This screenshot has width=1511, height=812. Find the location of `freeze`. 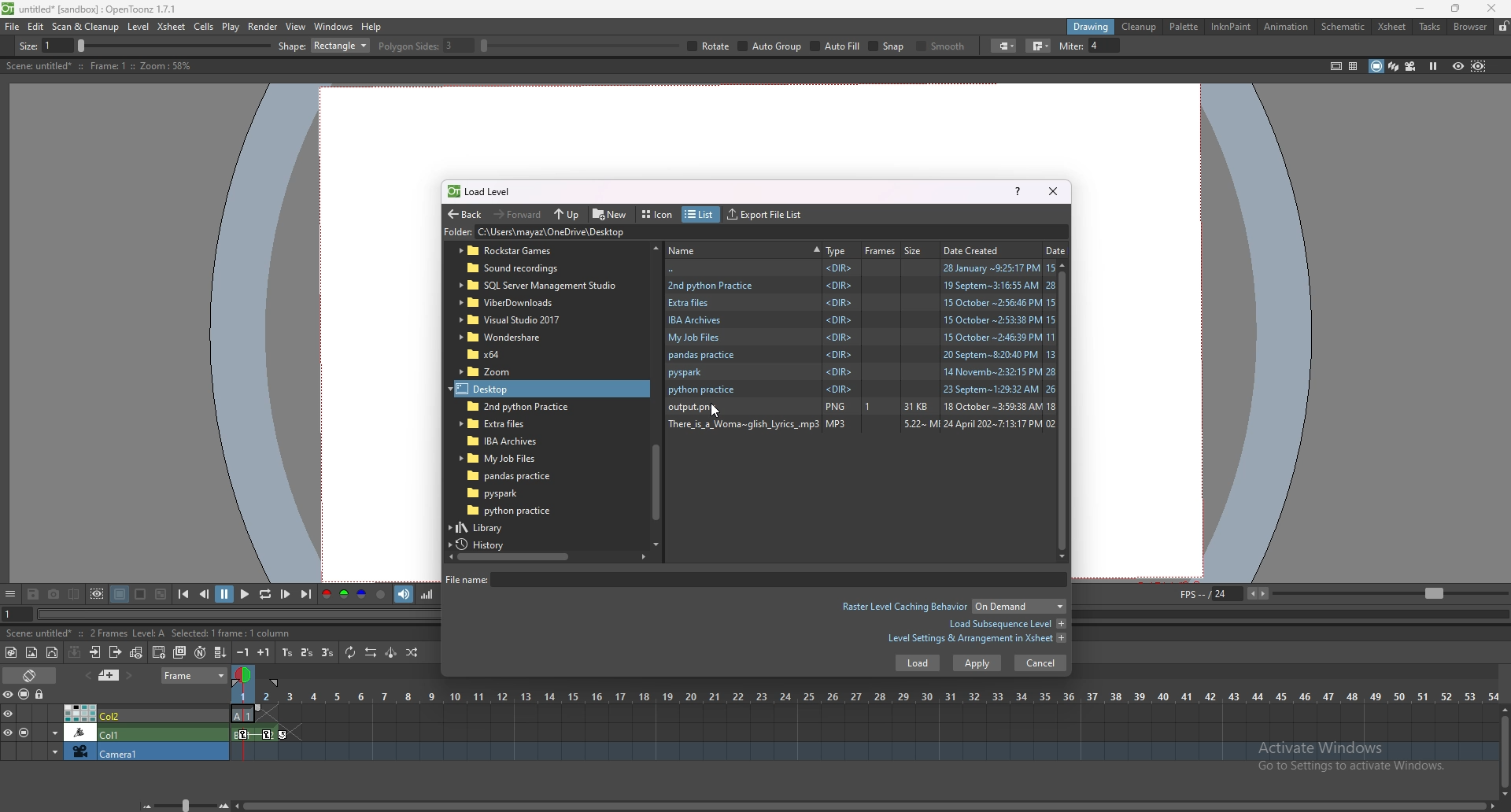

freeze is located at coordinates (1433, 65).